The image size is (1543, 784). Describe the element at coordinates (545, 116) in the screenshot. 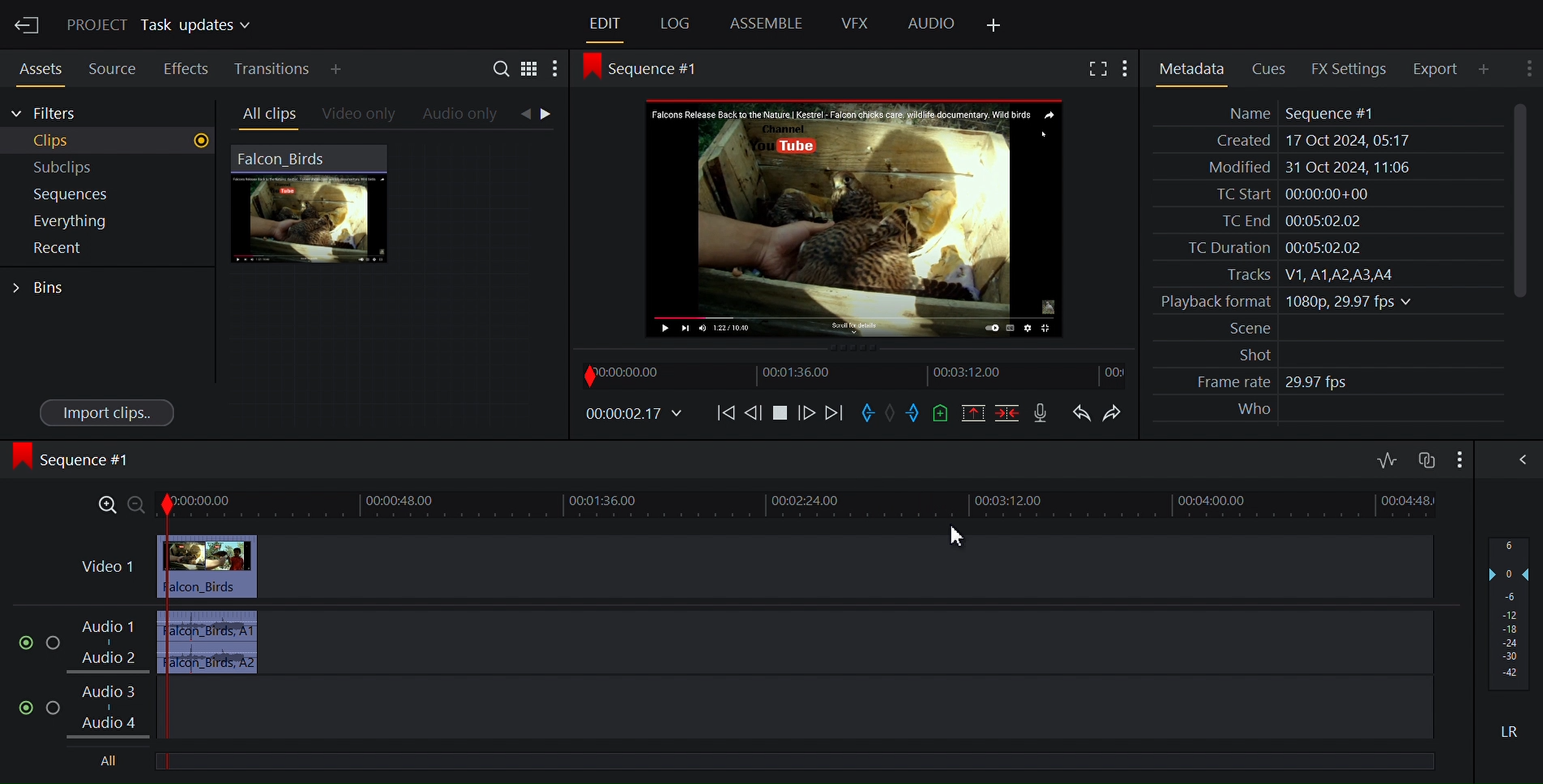

I see `Navigation` at that location.